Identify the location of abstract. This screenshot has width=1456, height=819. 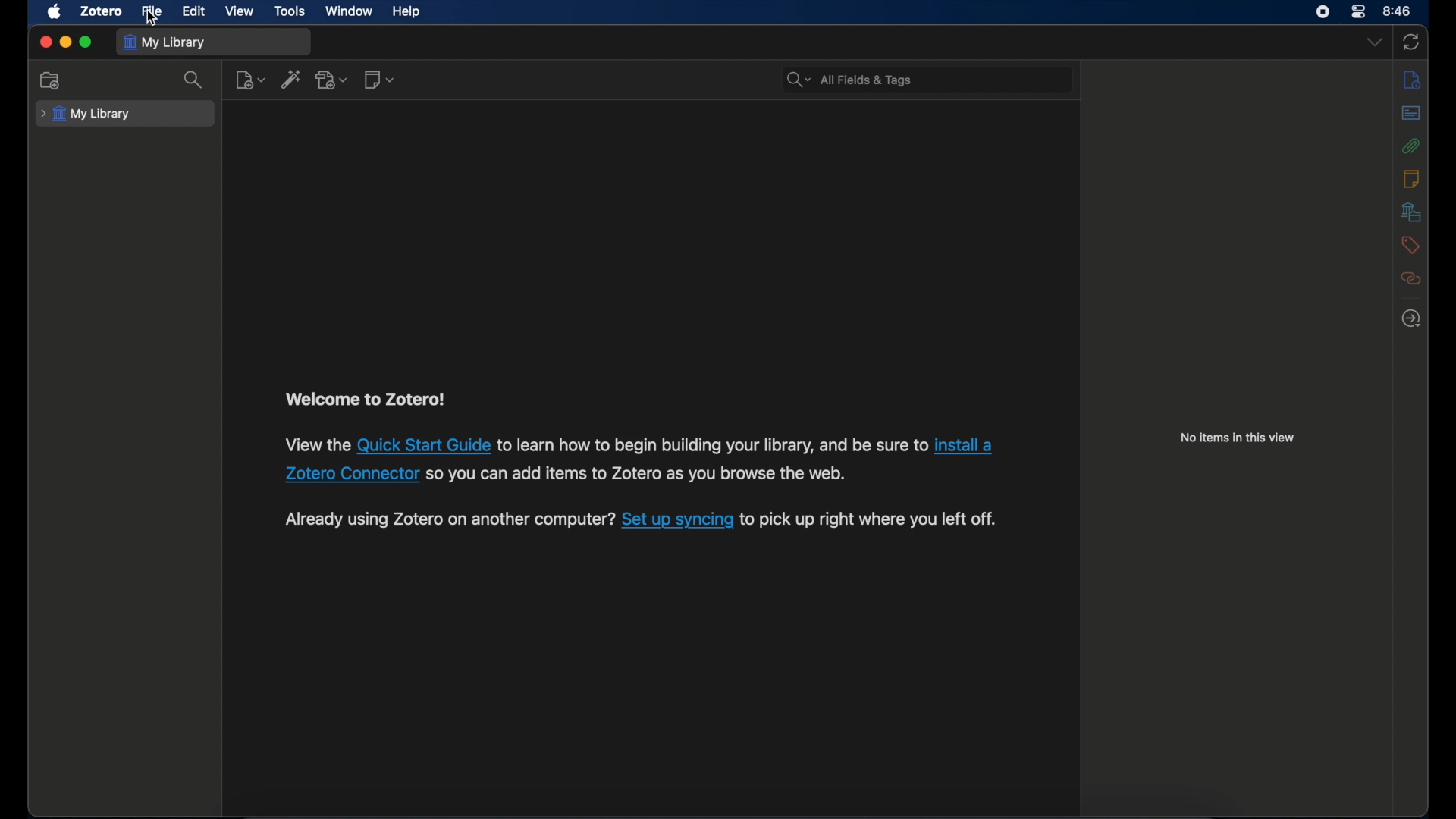
(1410, 115).